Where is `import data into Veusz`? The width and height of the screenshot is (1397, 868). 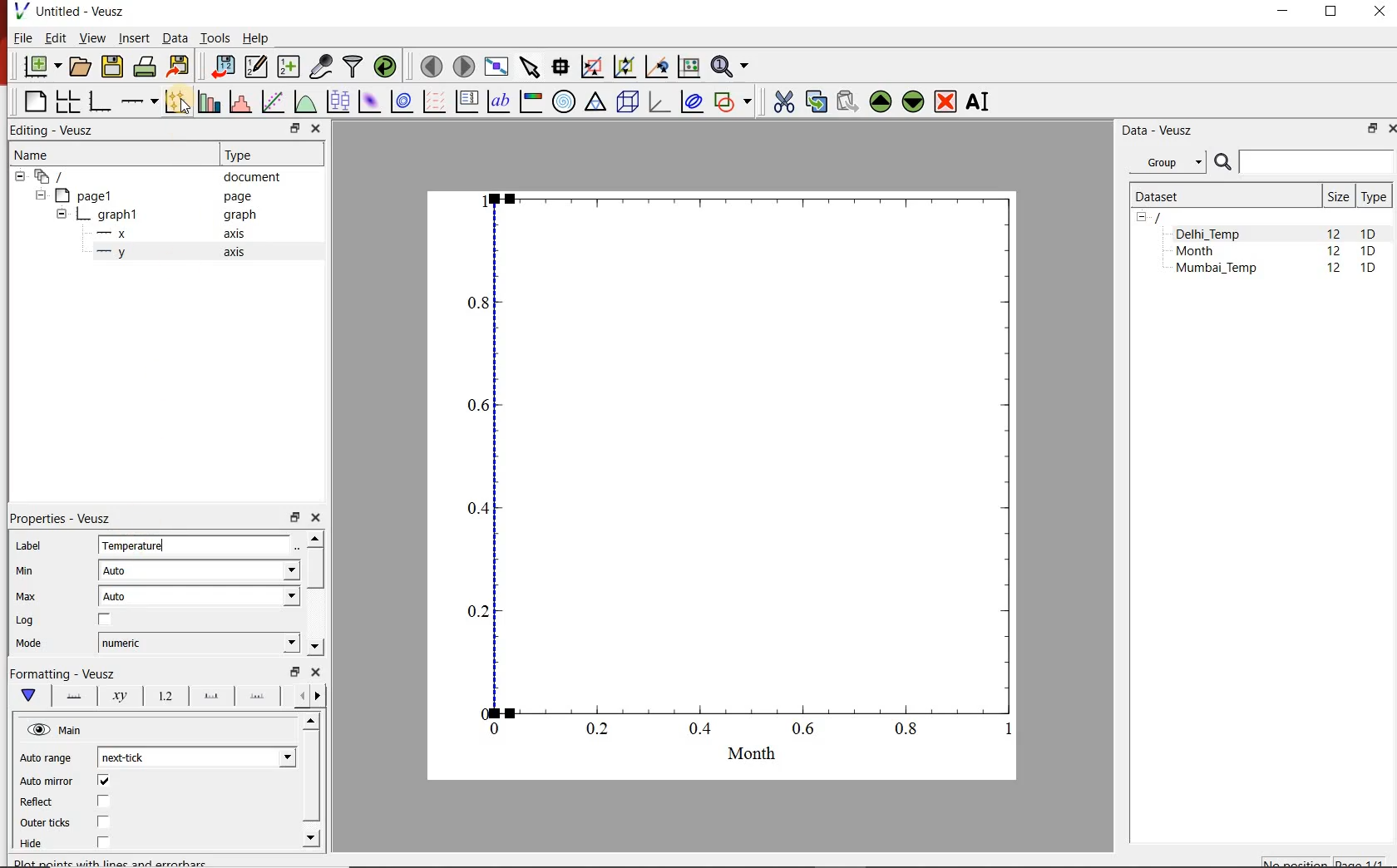 import data into Veusz is located at coordinates (221, 67).